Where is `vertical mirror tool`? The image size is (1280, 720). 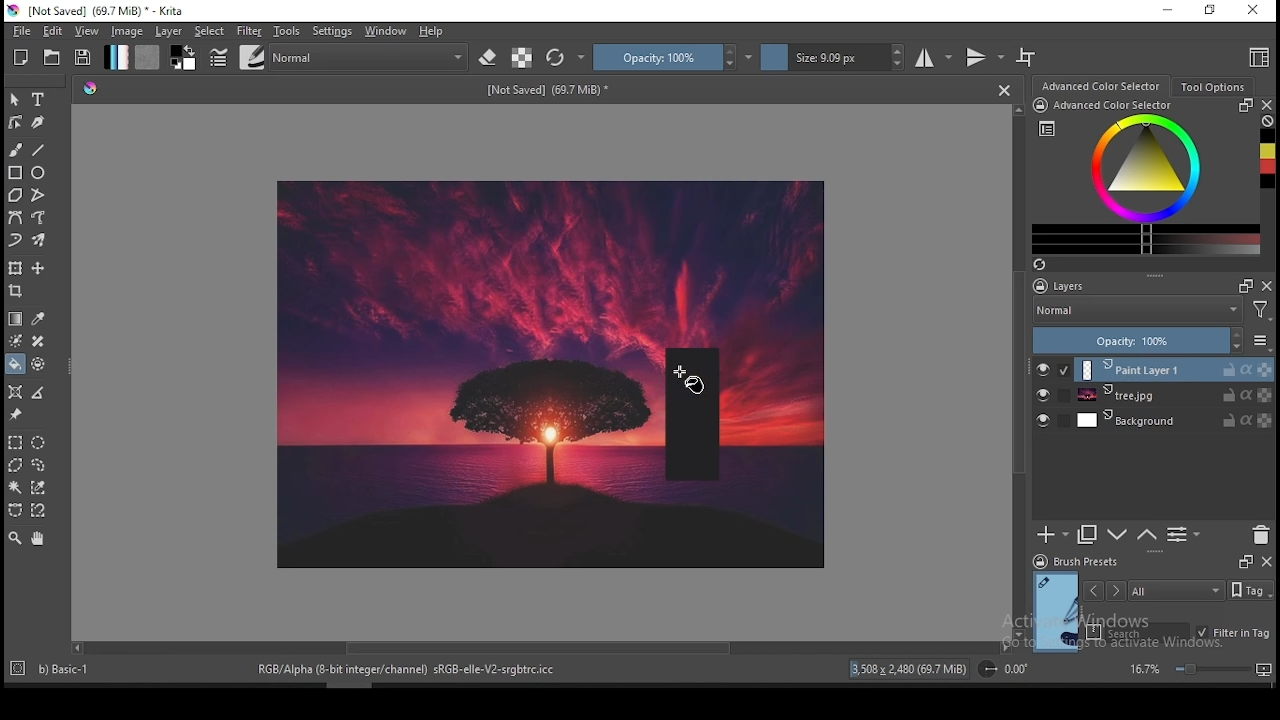
vertical mirror tool is located at coordinates (984, 58).